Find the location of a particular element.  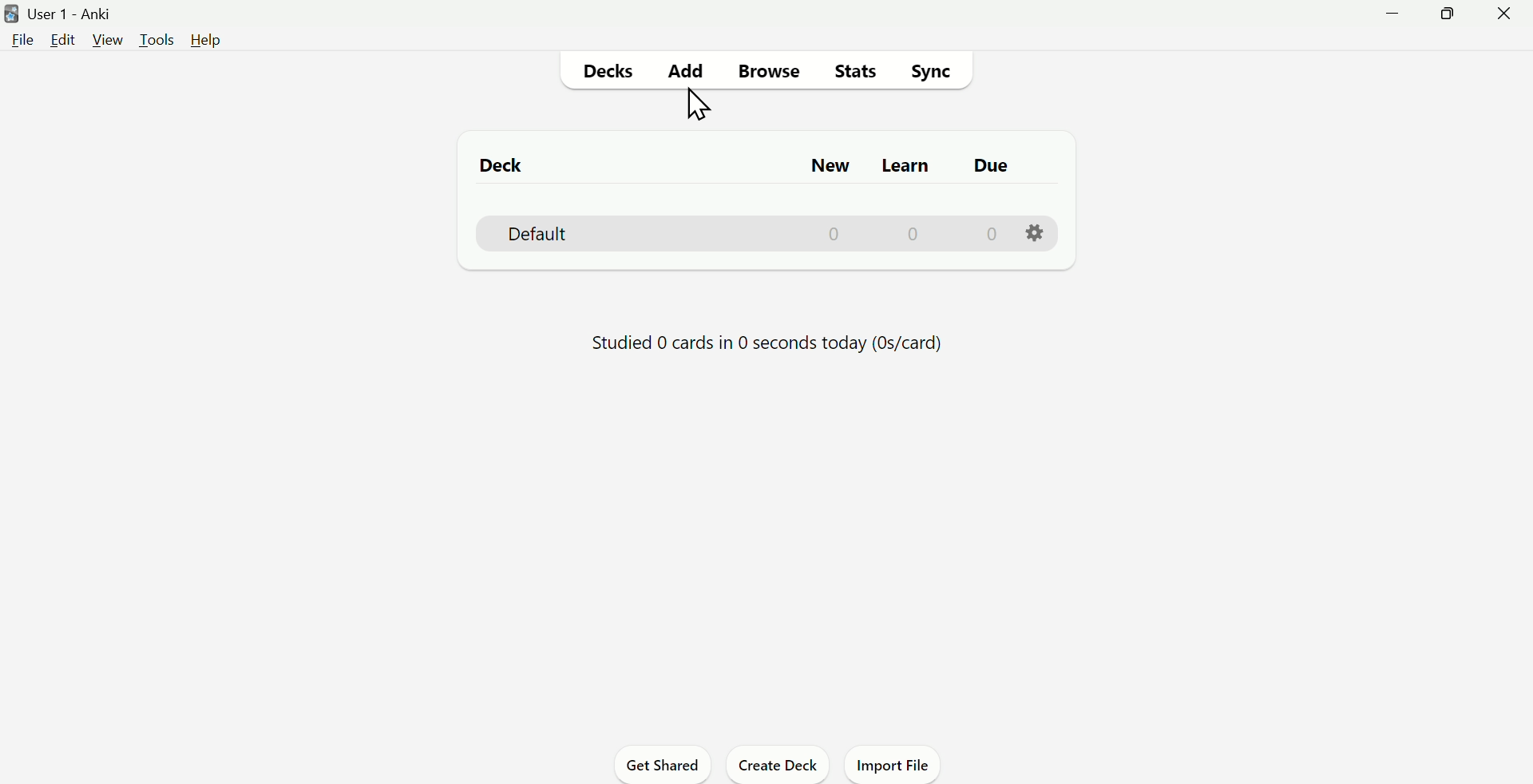

Browse is located at coordinates (766, 66).